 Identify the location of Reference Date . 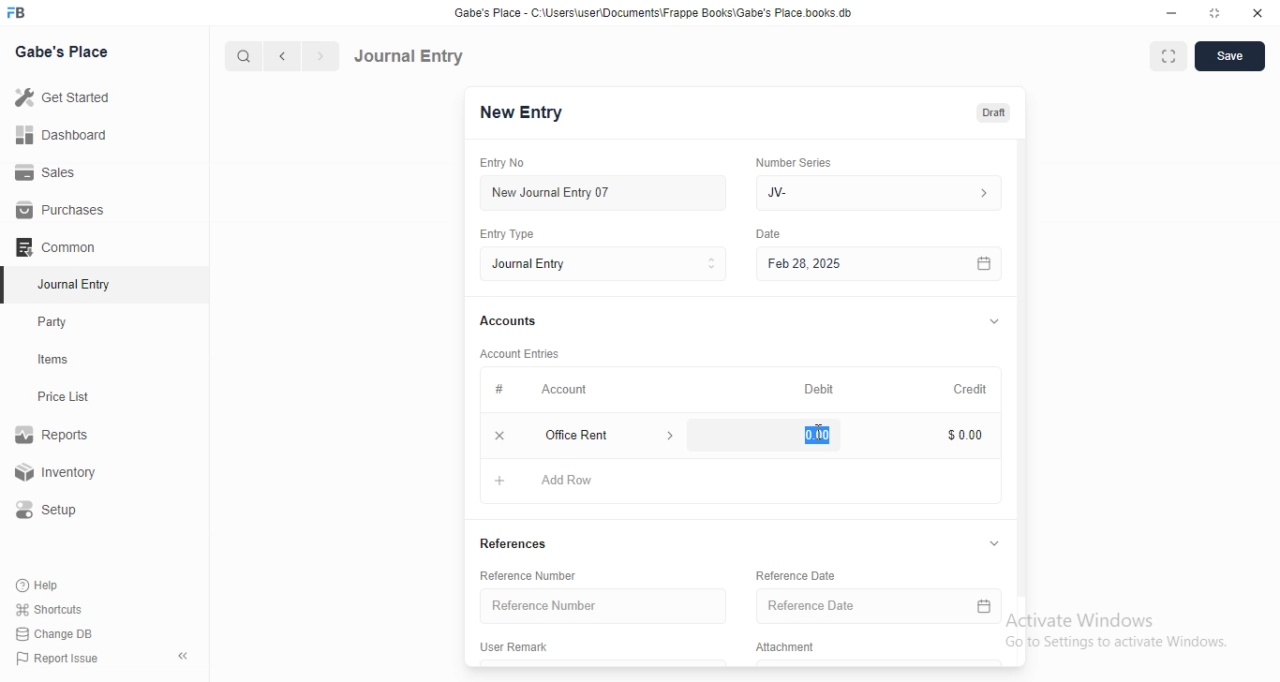
(881, 605).